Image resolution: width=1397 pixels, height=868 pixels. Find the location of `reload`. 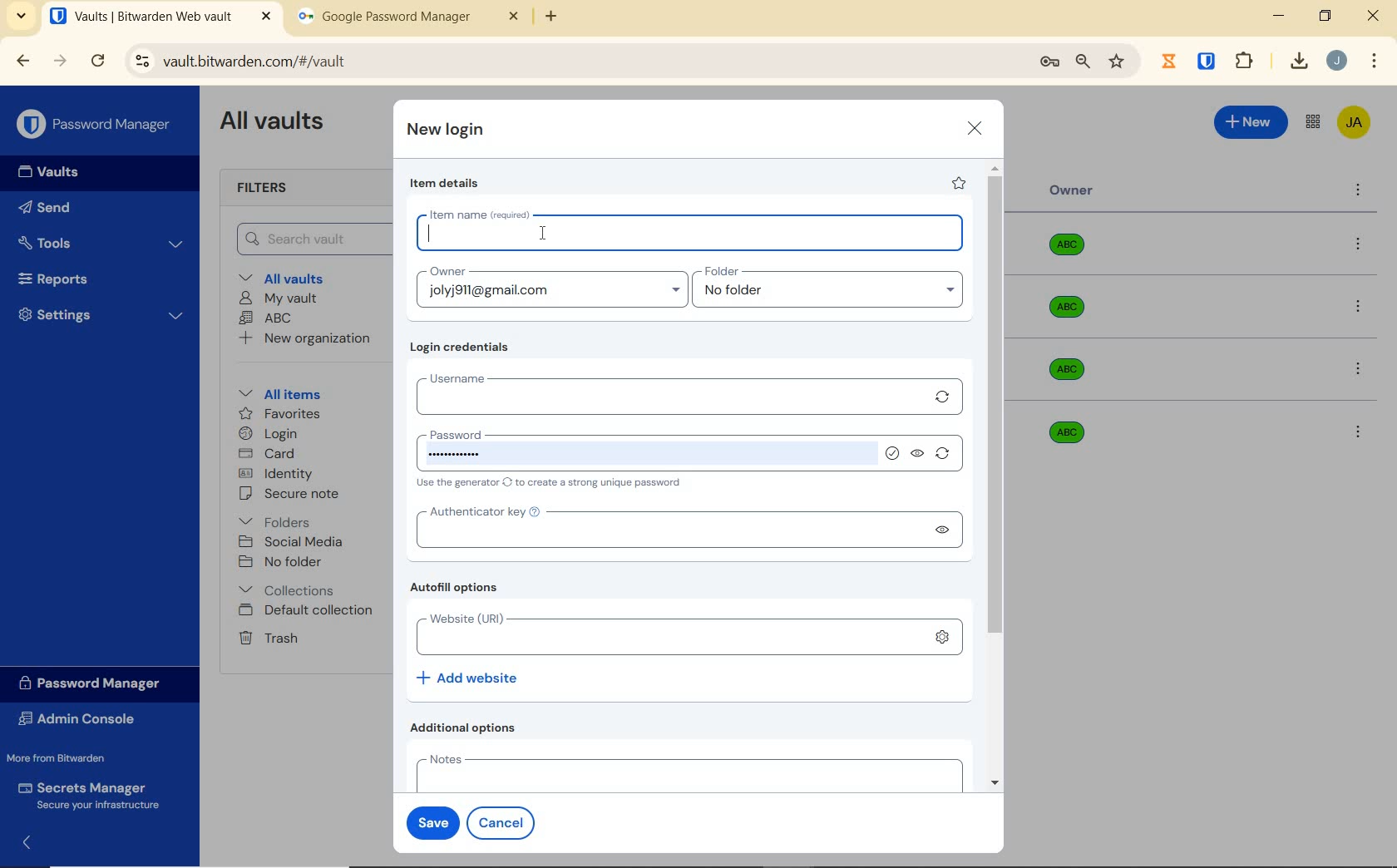

reload is located at coordinates (97, 62).